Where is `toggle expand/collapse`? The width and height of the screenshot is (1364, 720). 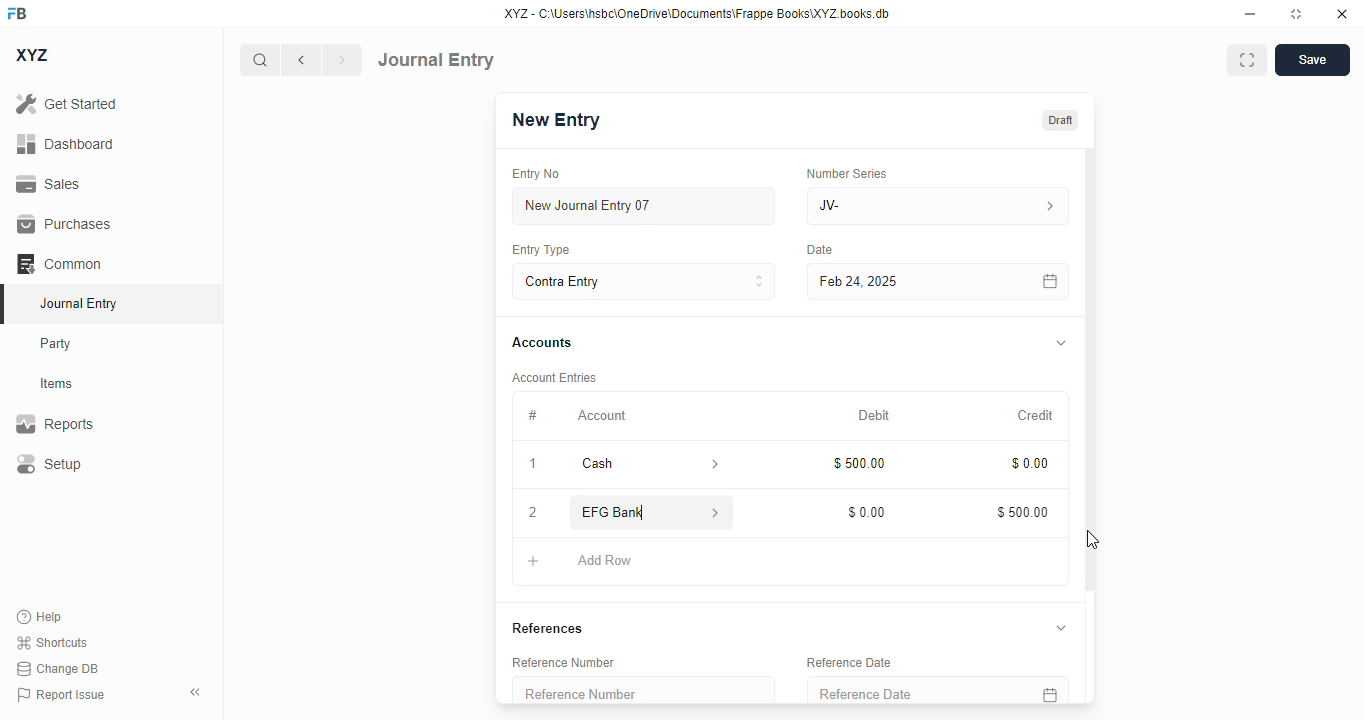
toggle expand/collapse is located at coordinates (1062, 342).